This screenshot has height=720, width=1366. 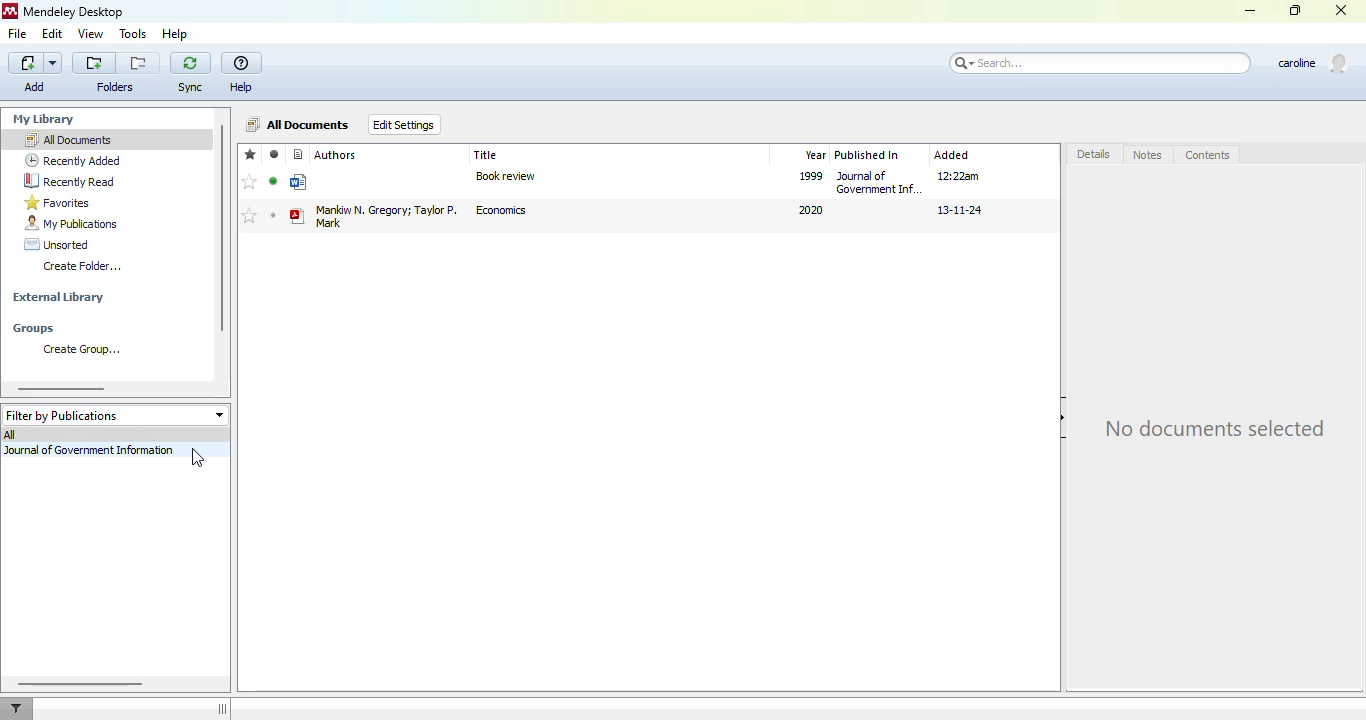 What do you see at coordinates (241, 74) in the screenshot?
I see `help` at bounding box center [241, 74].